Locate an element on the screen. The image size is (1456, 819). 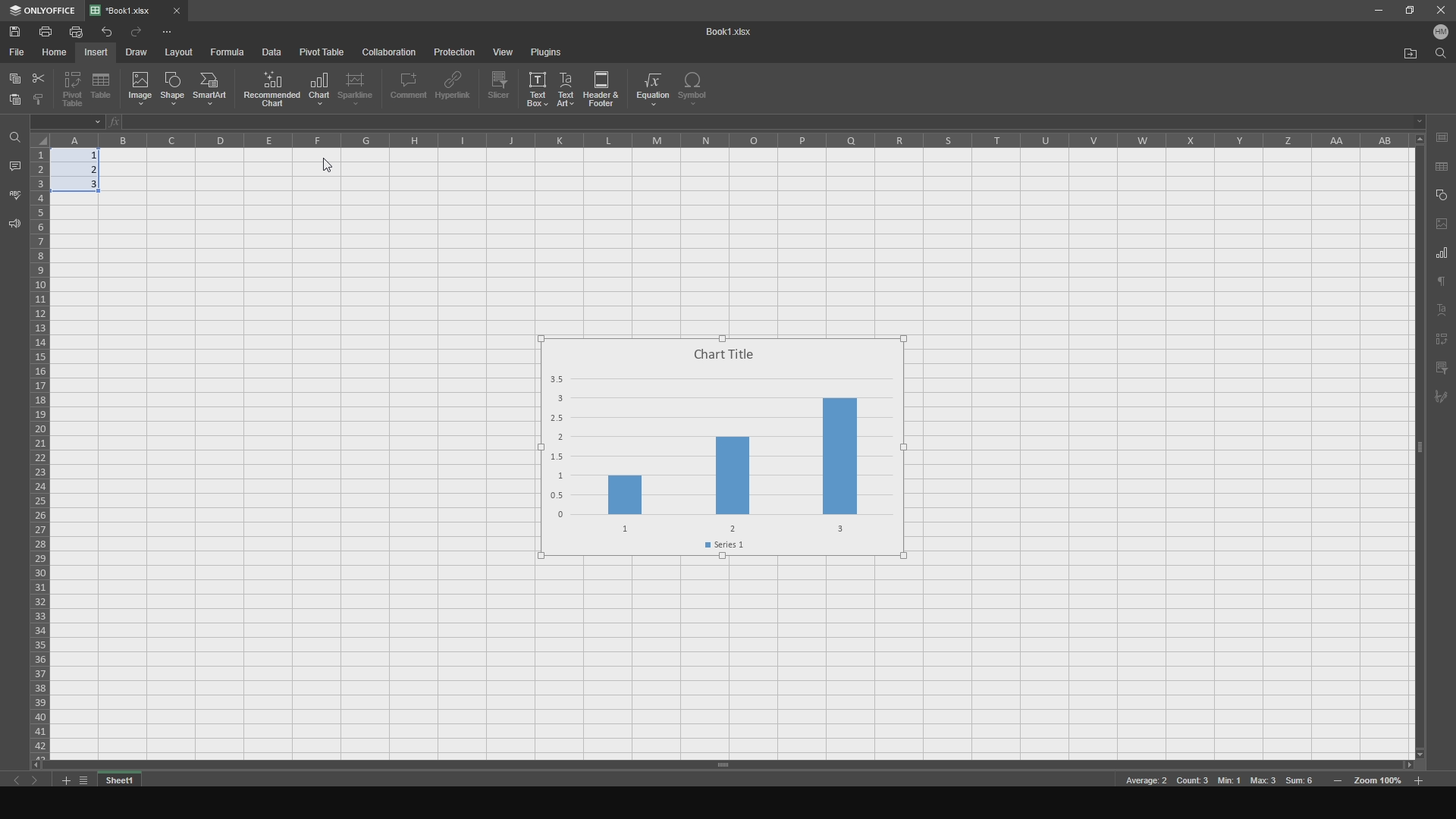
cursor is located at coordinates (337, 167).